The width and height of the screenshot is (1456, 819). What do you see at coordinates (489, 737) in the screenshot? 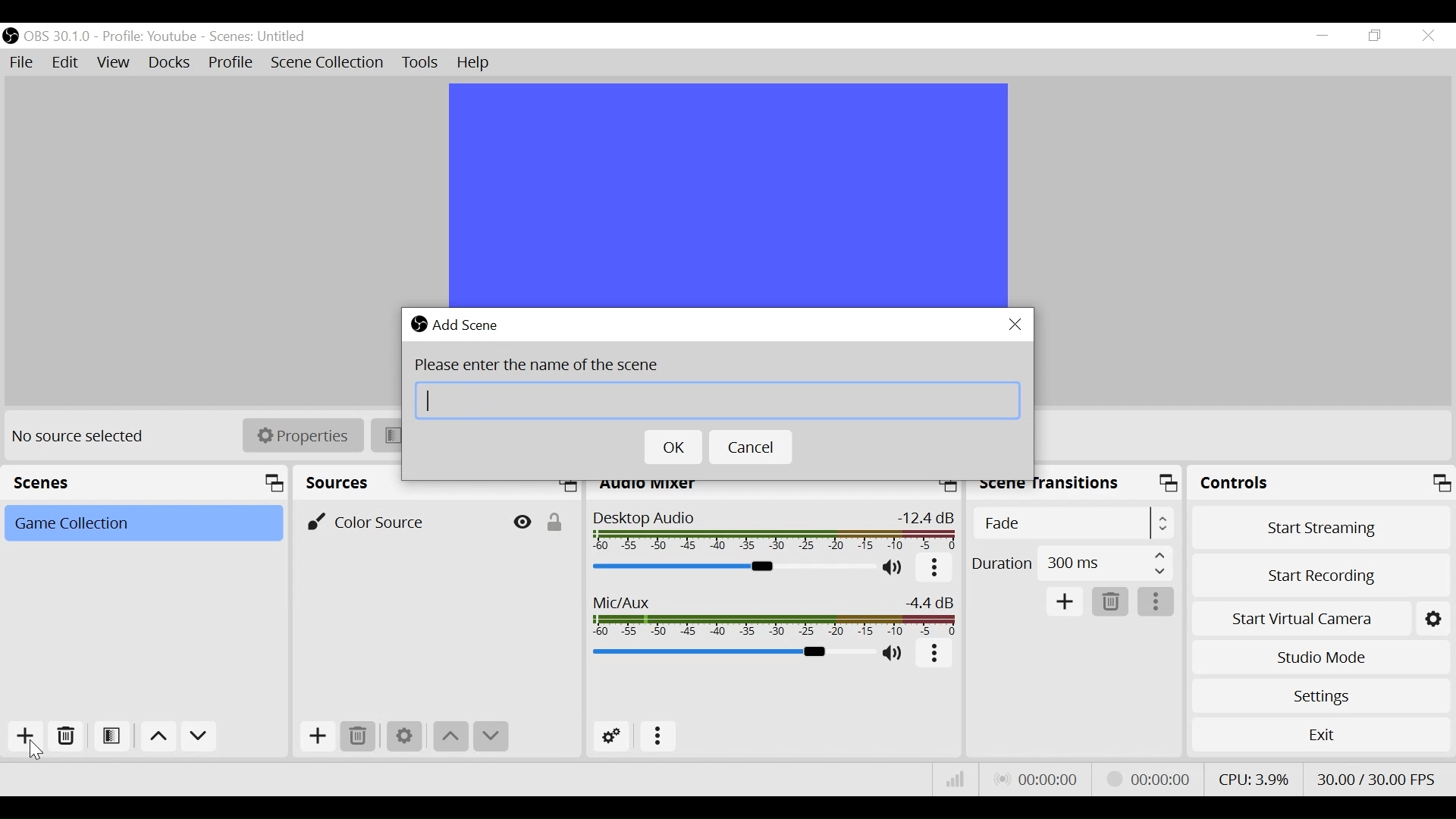
I see `Move down` at bounding box center [489, 737].